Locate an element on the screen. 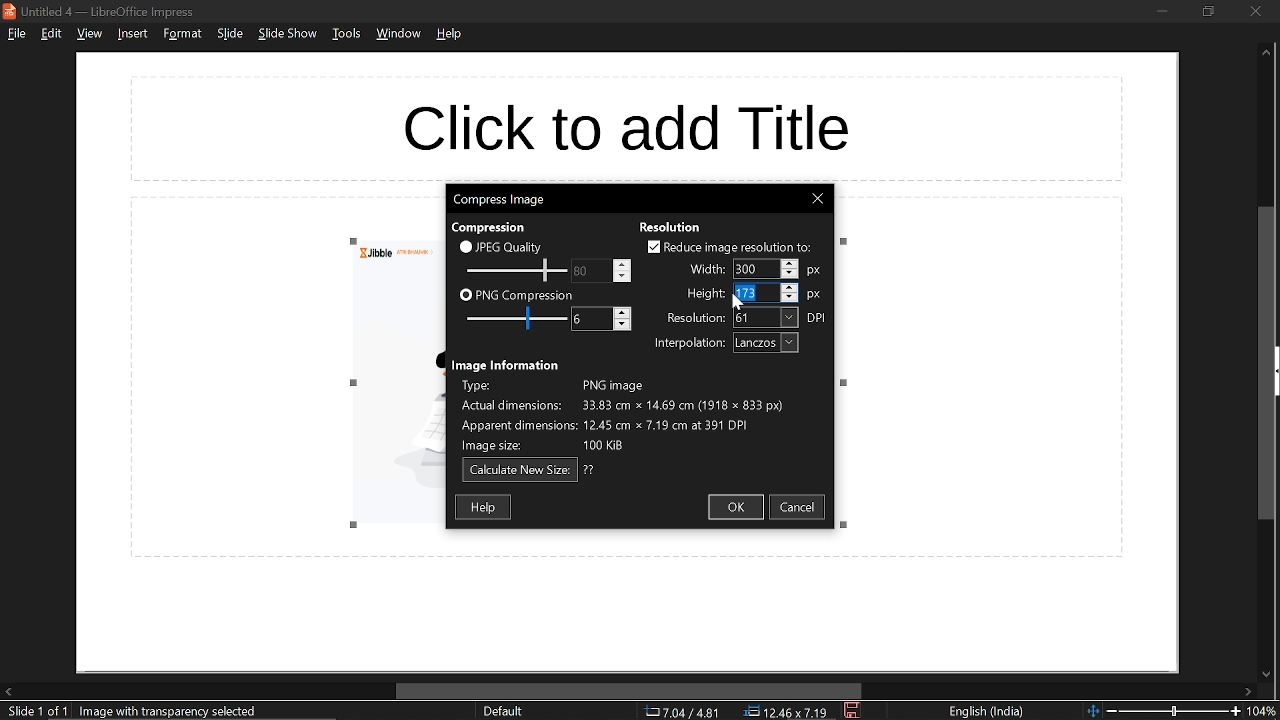 This screenshot has height=720, width=1280. Increase  is located at coordinates (791, 263).